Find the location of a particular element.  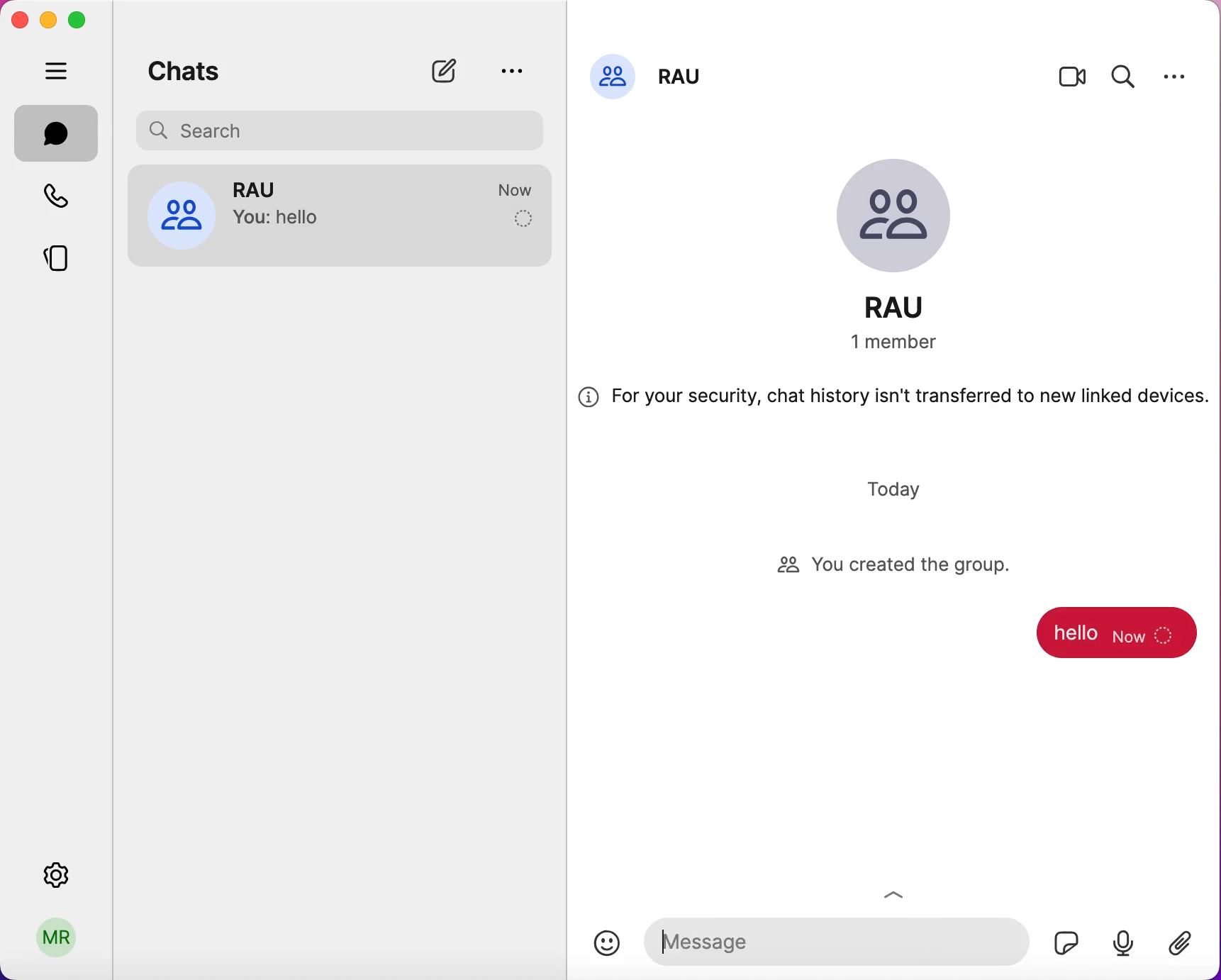

16m is located at coordinates (519, 191).